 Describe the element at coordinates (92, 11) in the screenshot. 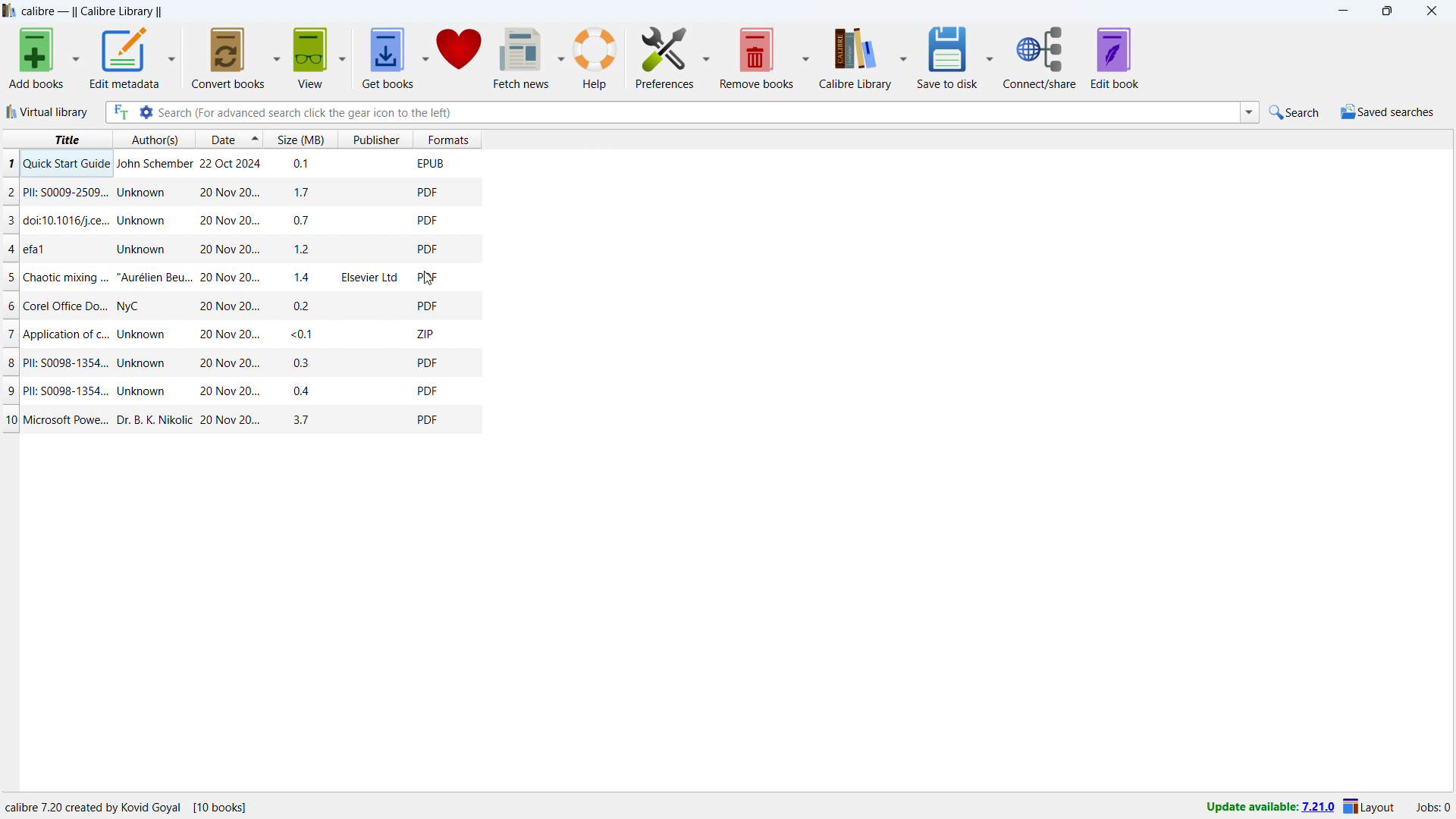

I see `title` at that location.